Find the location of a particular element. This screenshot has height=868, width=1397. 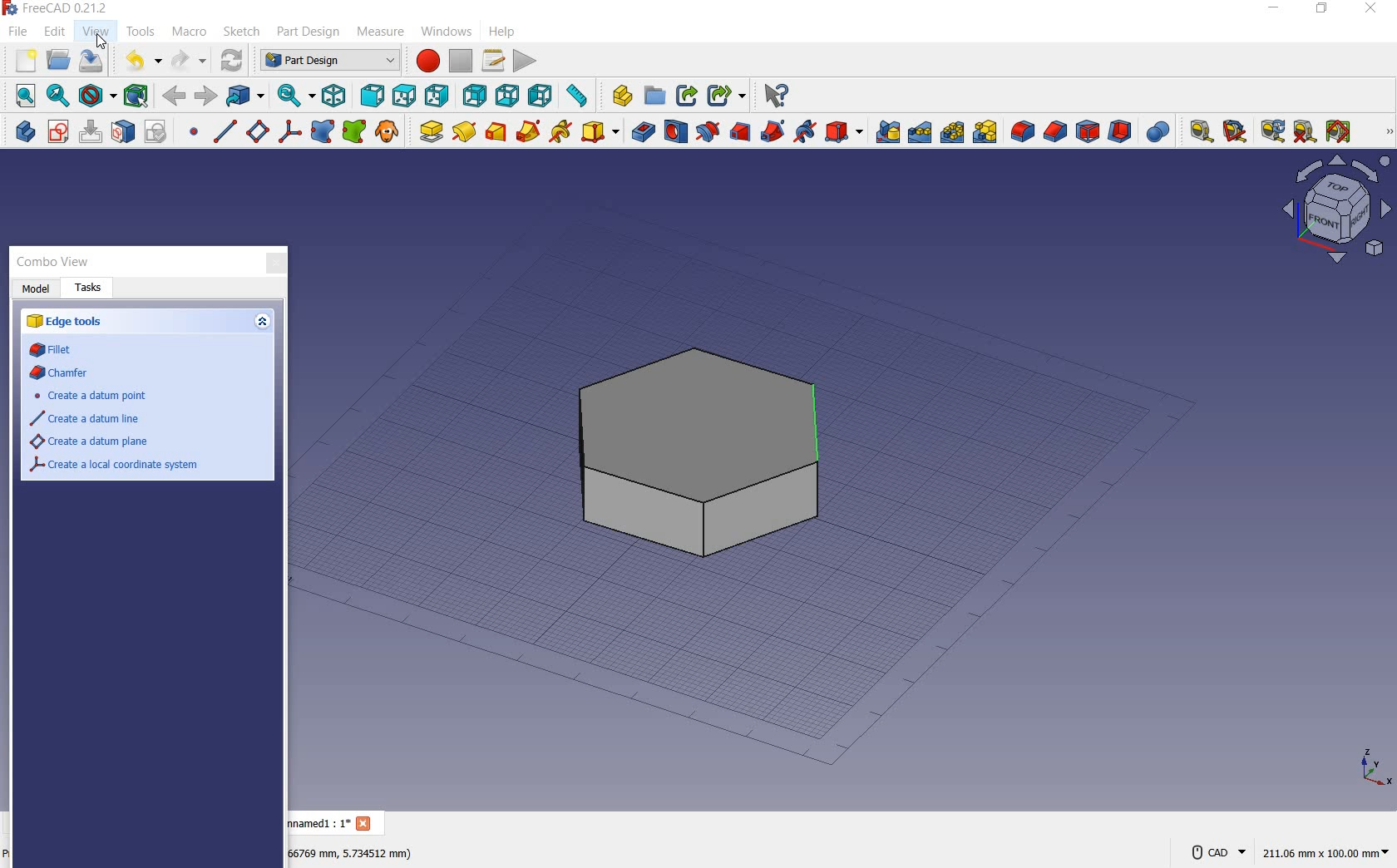

CAD NAVIGATION STYLE is located at coordinates (1214, 852).